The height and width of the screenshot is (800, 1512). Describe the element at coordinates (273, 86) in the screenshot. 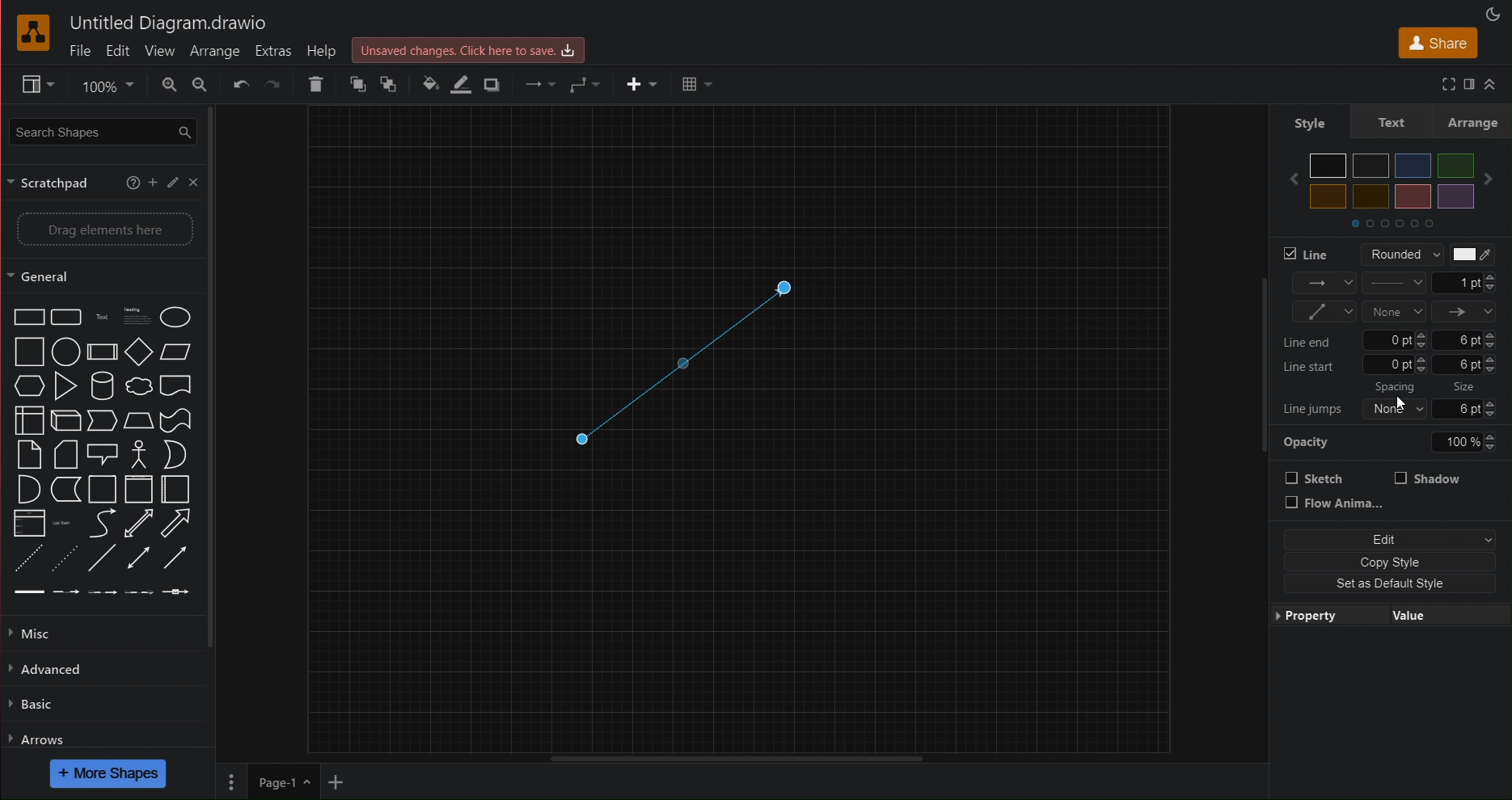

I see `Redo` at that location.